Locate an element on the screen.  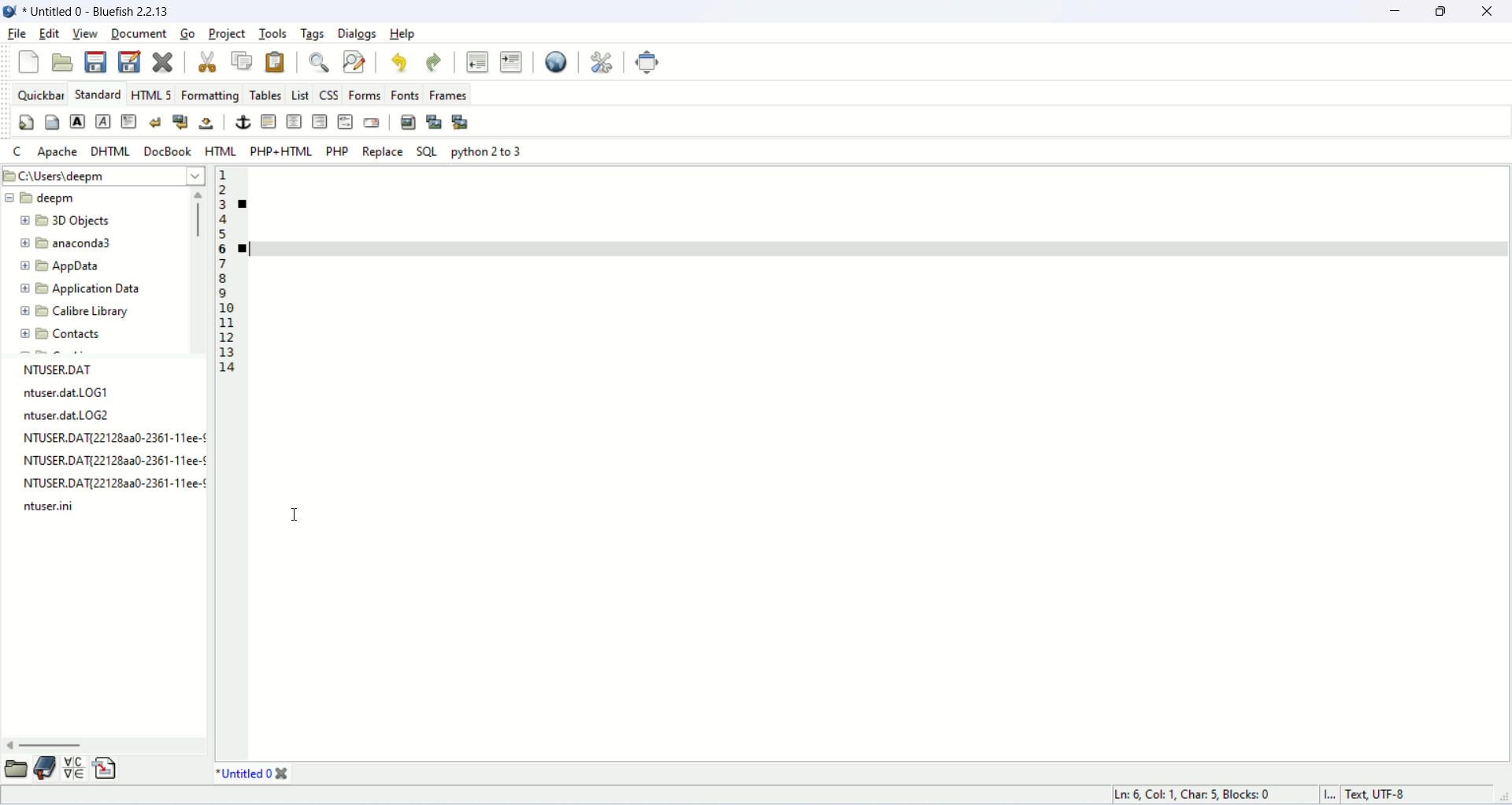
help is located at coordinates (405, 34).